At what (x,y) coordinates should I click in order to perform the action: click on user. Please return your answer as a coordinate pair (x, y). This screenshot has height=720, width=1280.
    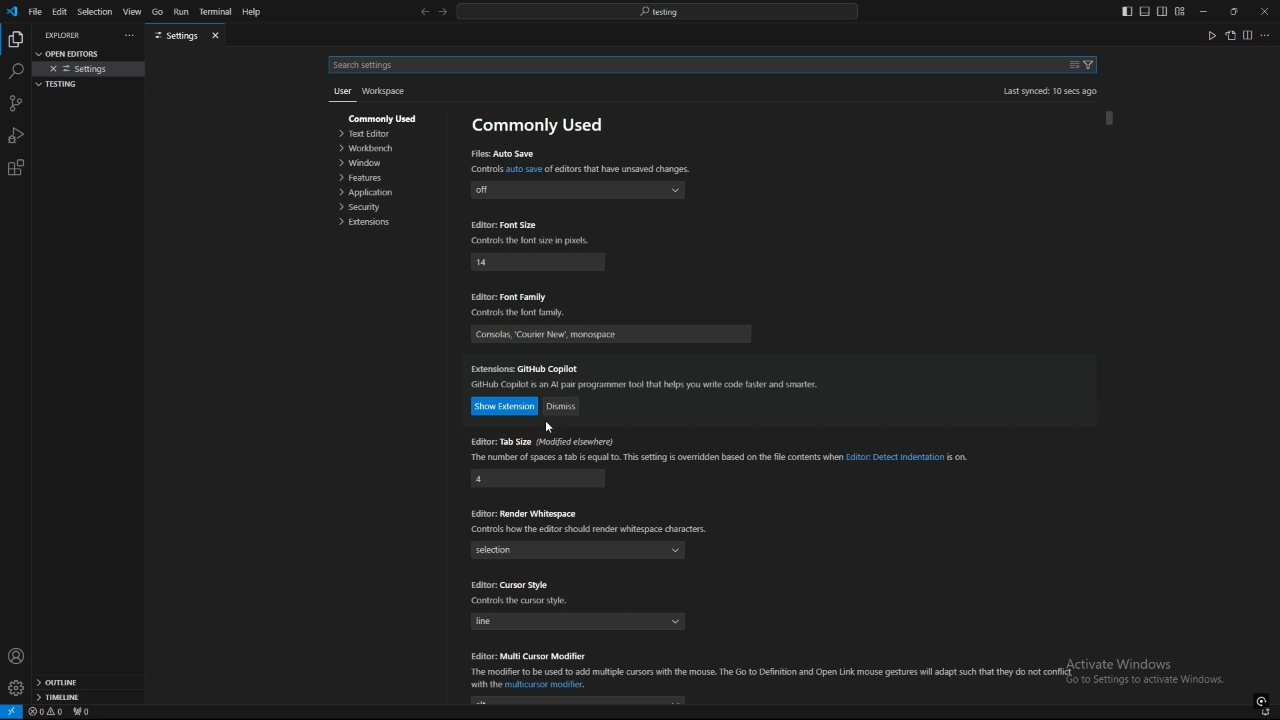
    Looking at the image, I should click on (340, 93).